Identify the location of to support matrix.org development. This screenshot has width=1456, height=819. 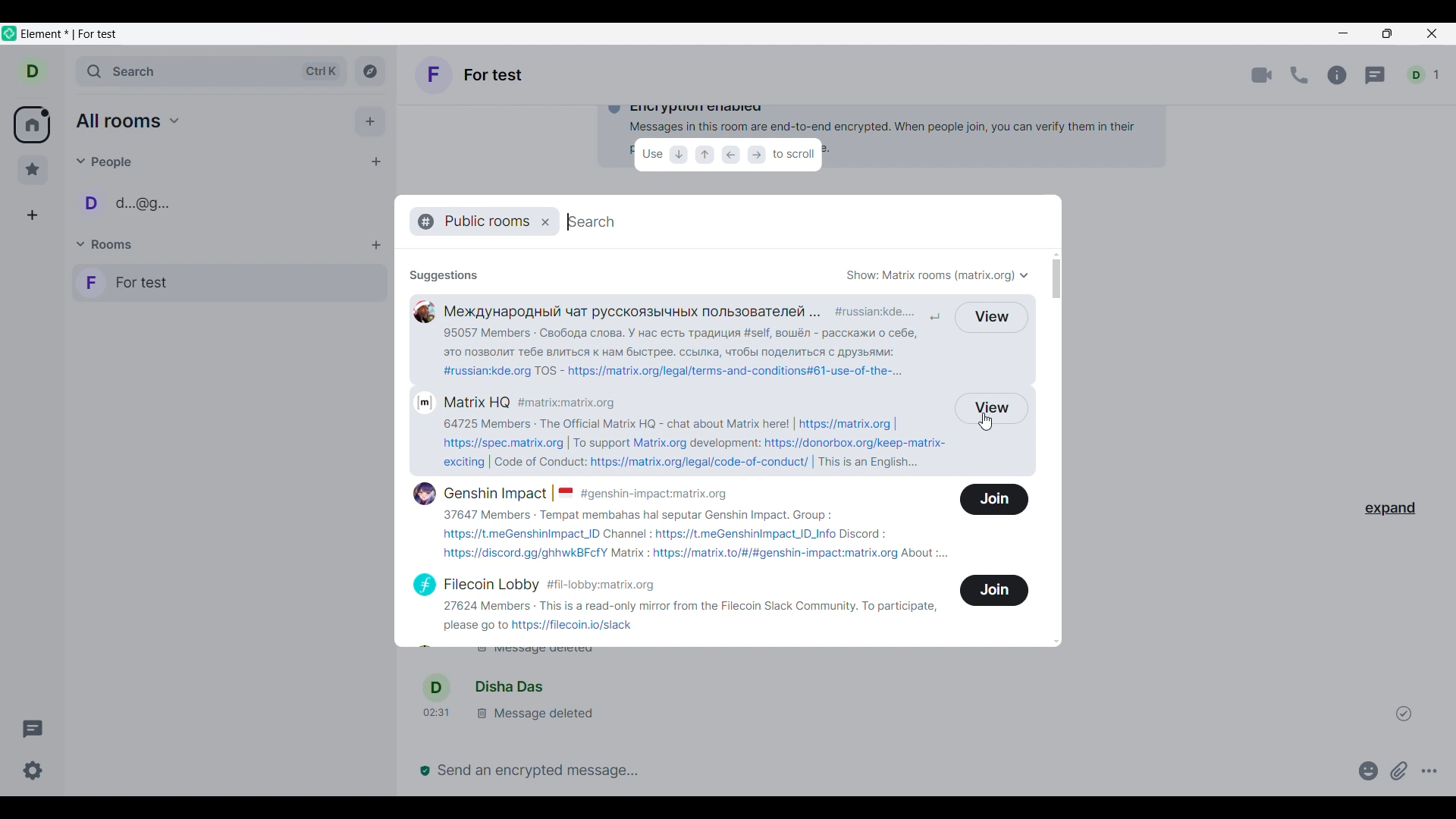
(666, 443).